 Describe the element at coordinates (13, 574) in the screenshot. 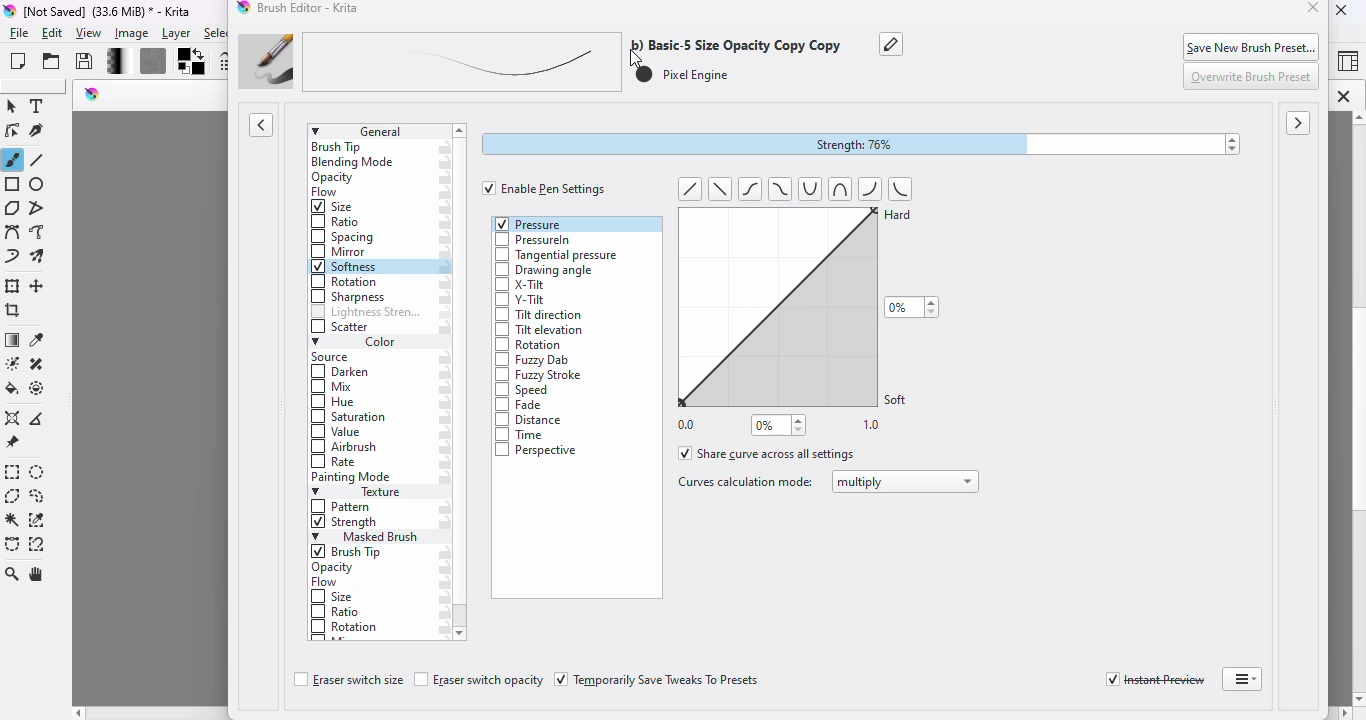

I see `zoom tool` at that location.